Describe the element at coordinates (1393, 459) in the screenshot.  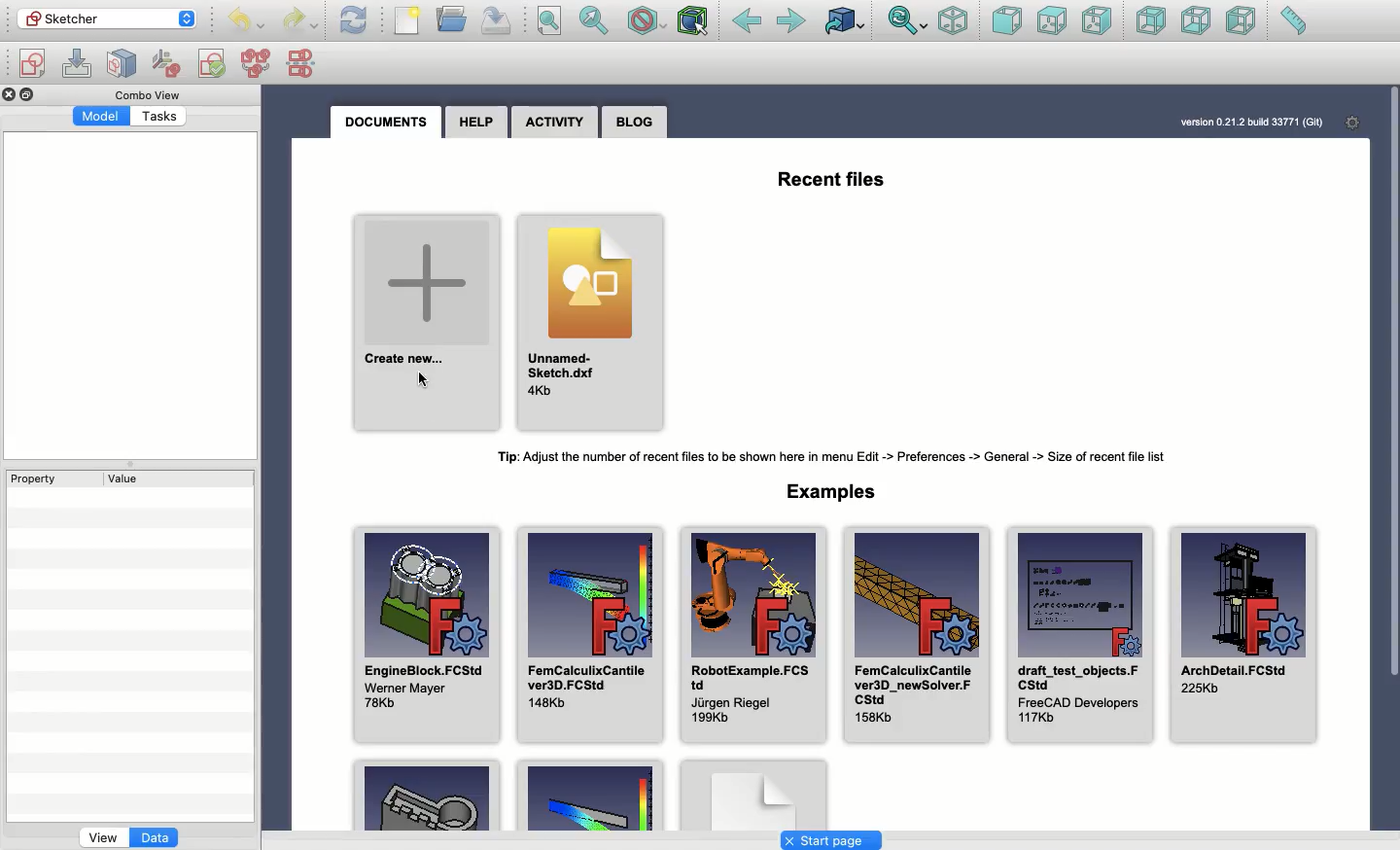
I see `Scroll` at that location.